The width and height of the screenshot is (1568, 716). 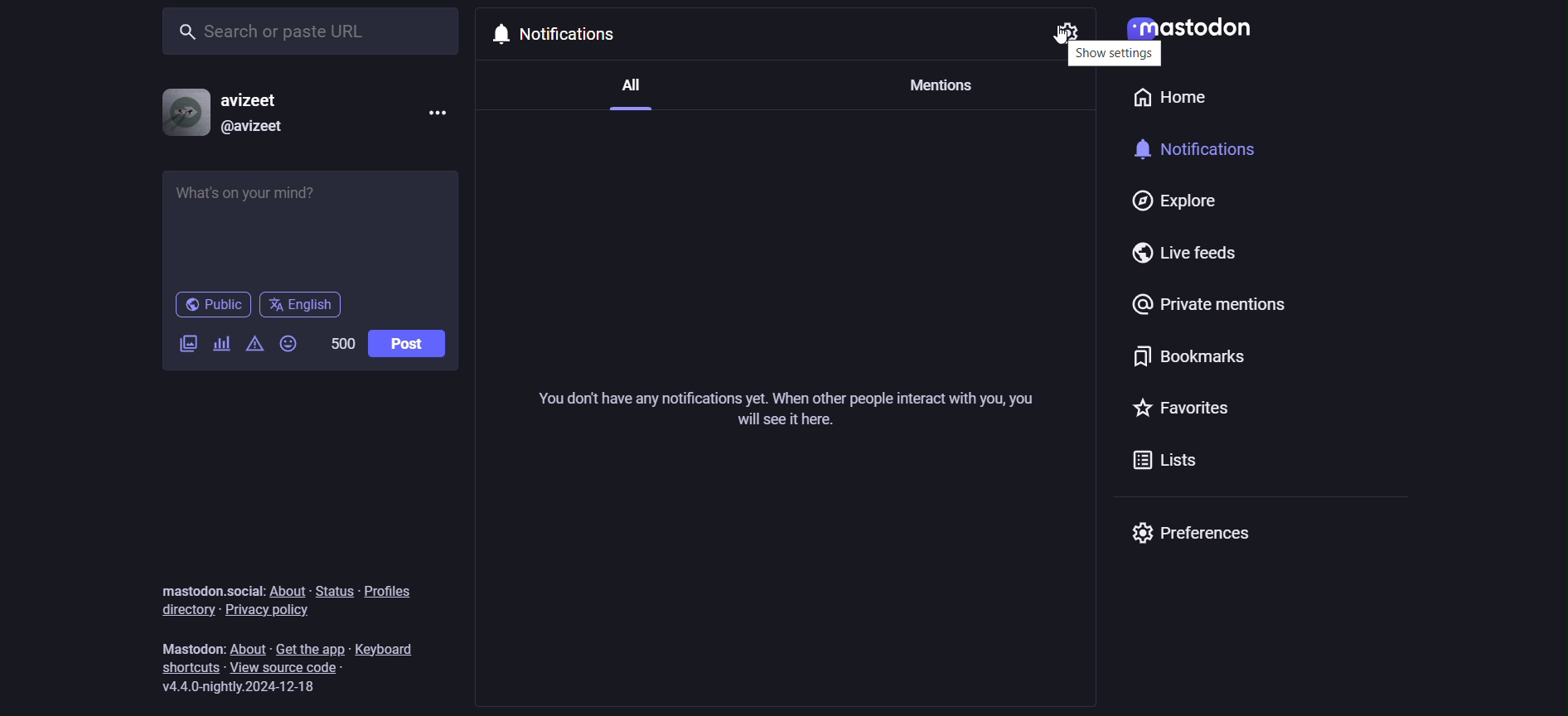 What do you see at coordinates (1164, 101) in the screenshot?
I see `home` at bounding box center [1164, 101].